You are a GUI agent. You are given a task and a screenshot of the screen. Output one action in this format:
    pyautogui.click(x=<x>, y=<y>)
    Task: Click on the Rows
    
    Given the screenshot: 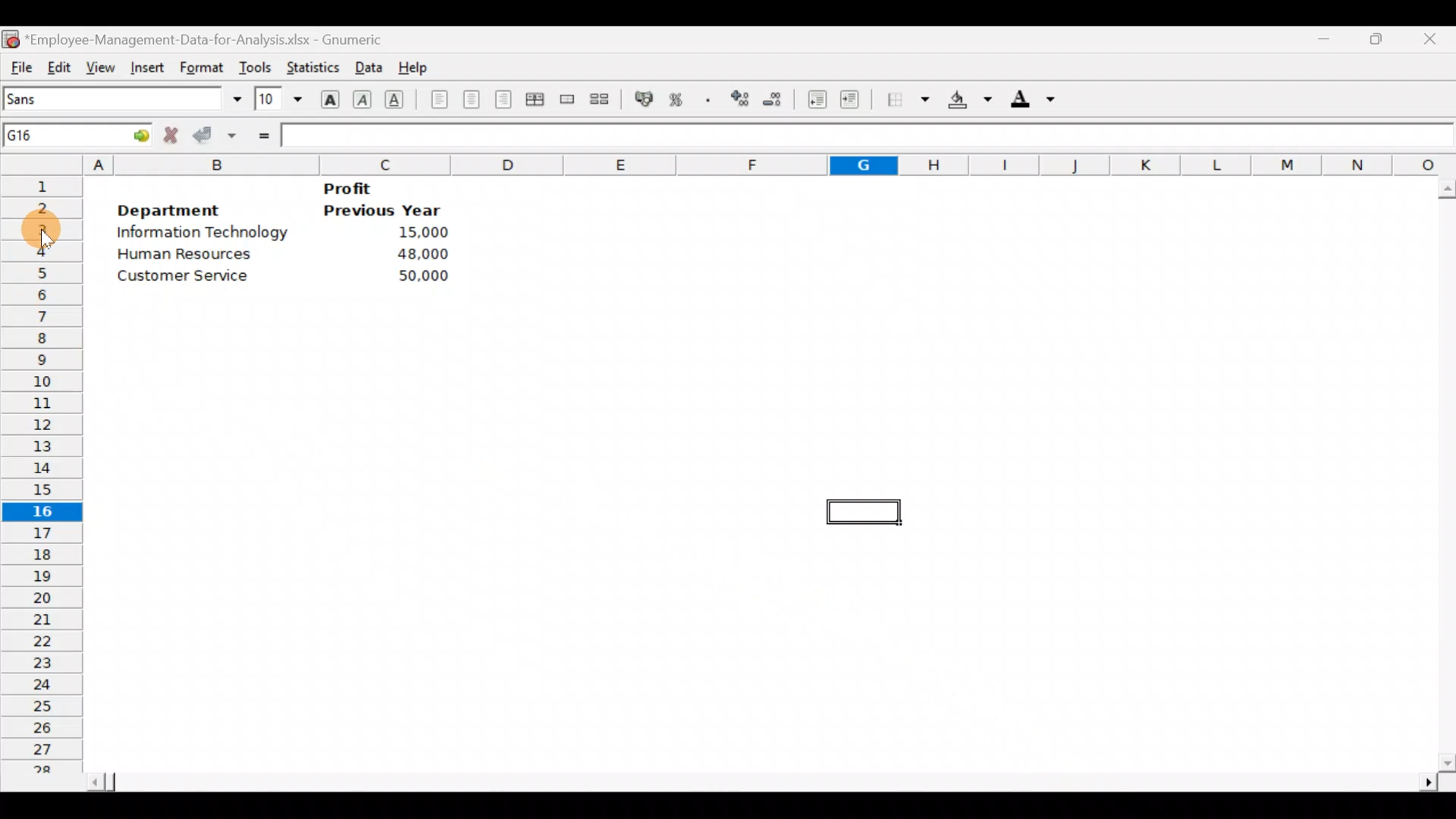 What is the action you would take?
    pyautogui.click(x=41, y=479)
    